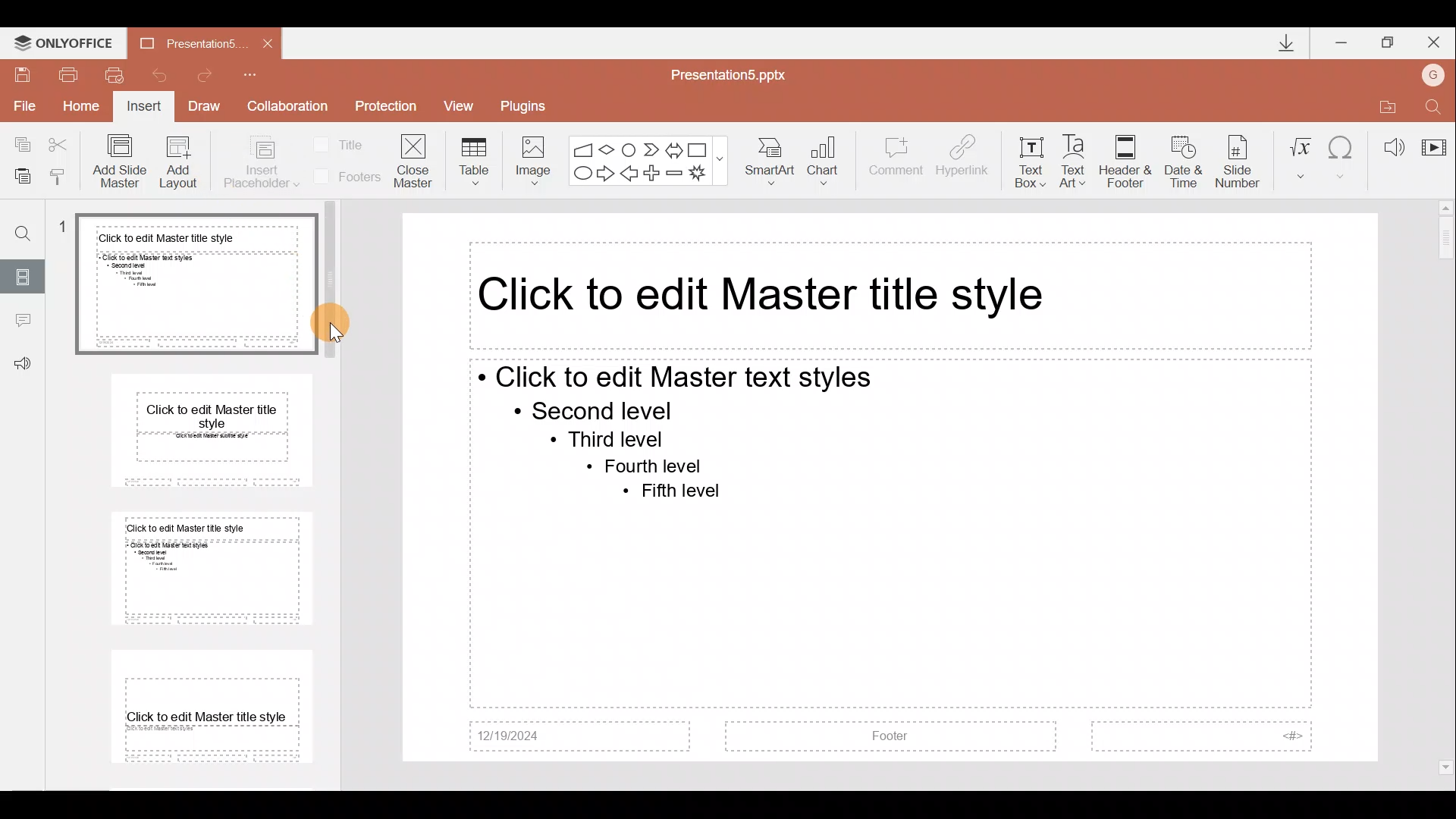  I want to click on Slide 1, so click(185, 285).